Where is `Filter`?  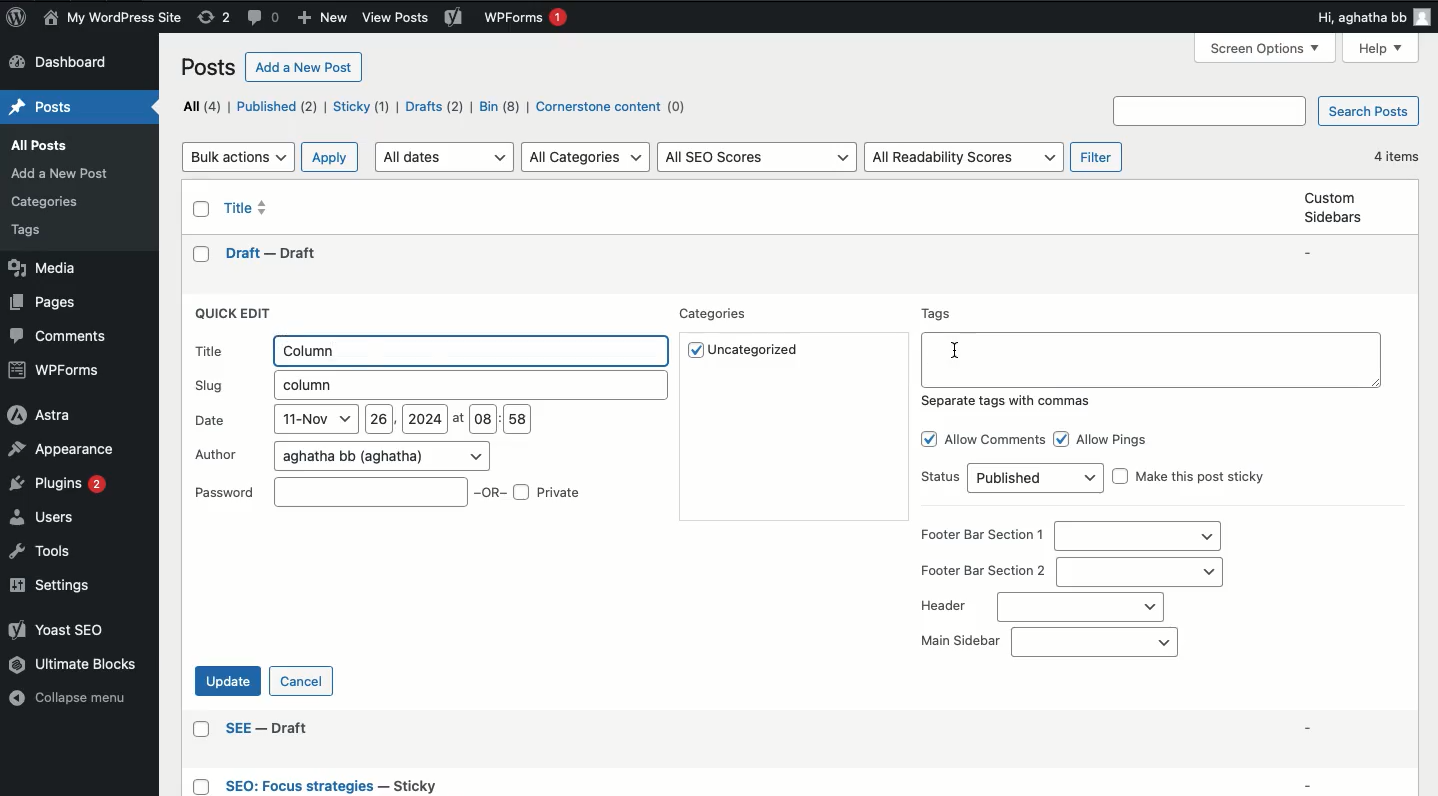 Filter is located at coordinates (1099, 156).